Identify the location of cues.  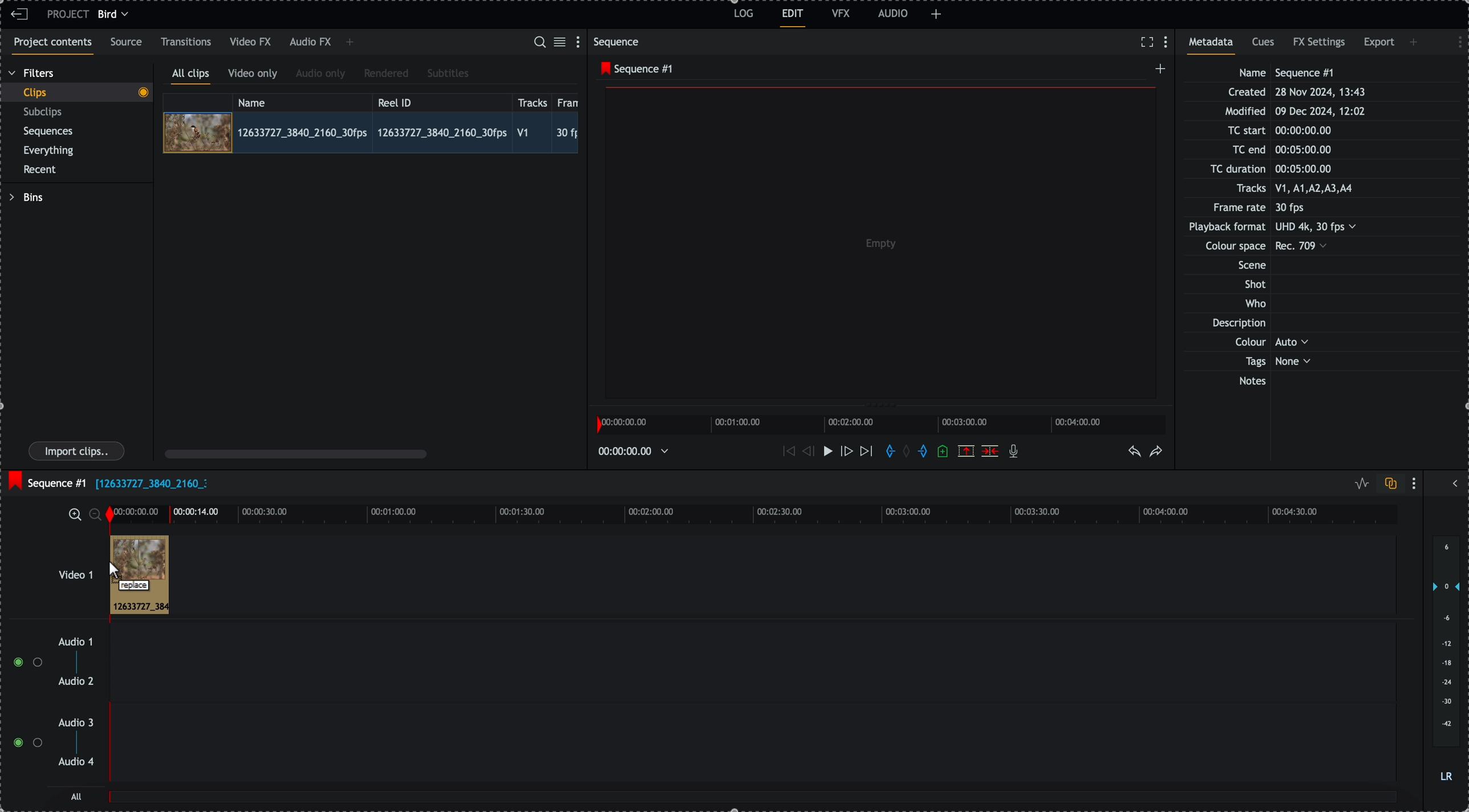
(1264, 46).